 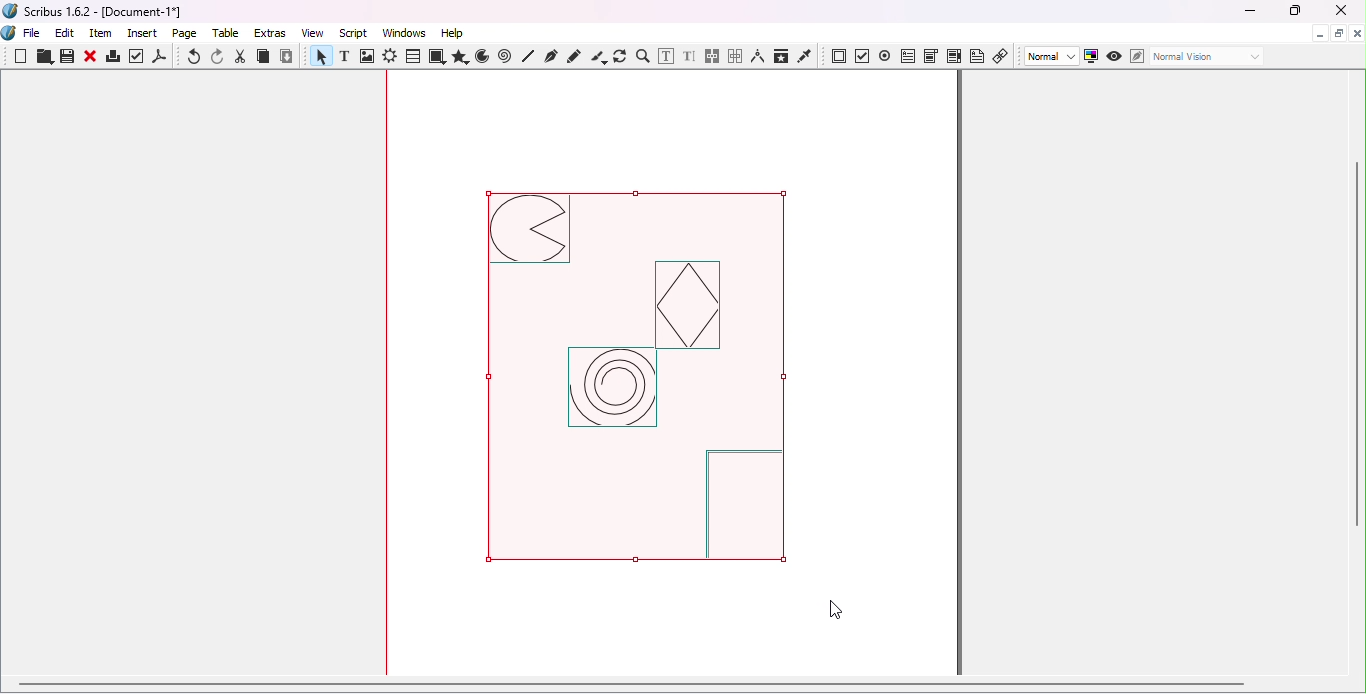 What do you see at coordinates (1338, 32) in the screenshot?
I see `Maximize` at bounding box center [1338, 32].